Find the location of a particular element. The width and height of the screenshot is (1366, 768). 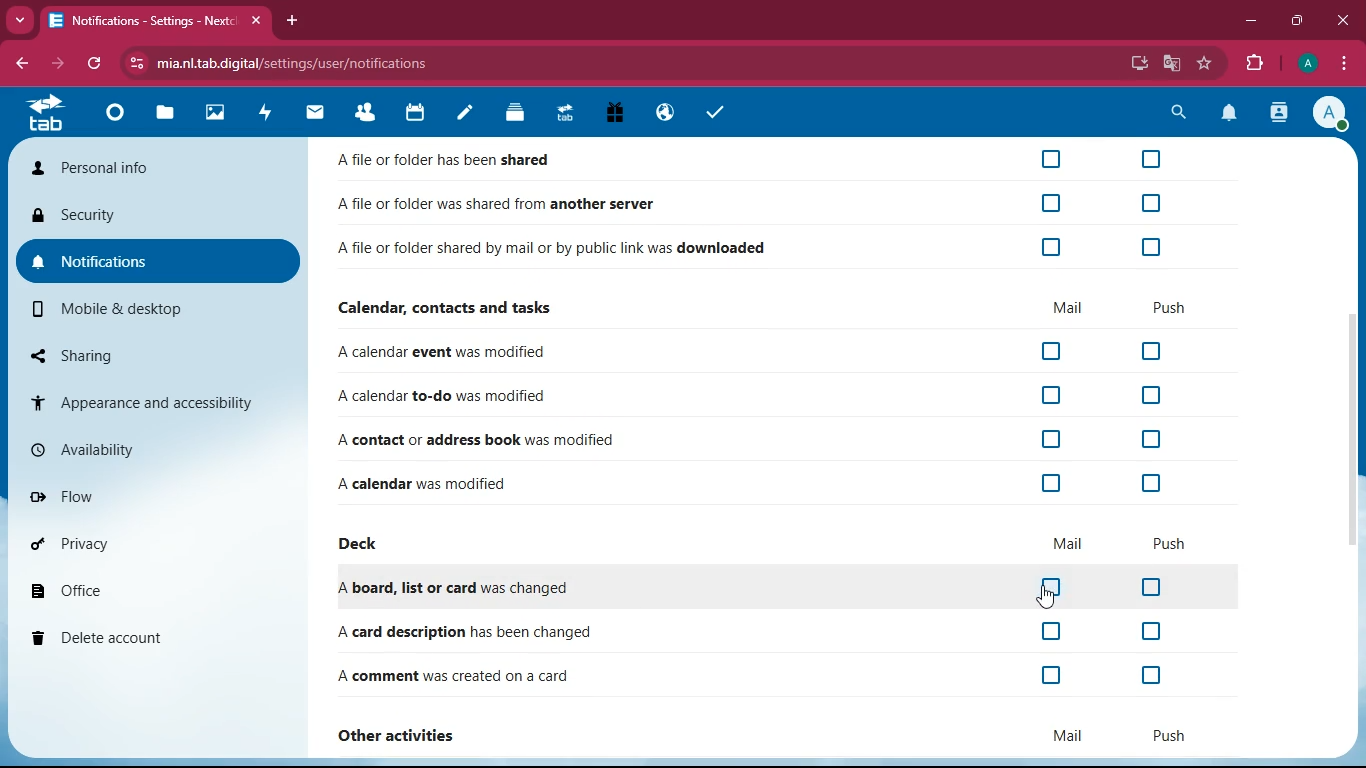

A card description has been changed is located at coordinates (463, 630).